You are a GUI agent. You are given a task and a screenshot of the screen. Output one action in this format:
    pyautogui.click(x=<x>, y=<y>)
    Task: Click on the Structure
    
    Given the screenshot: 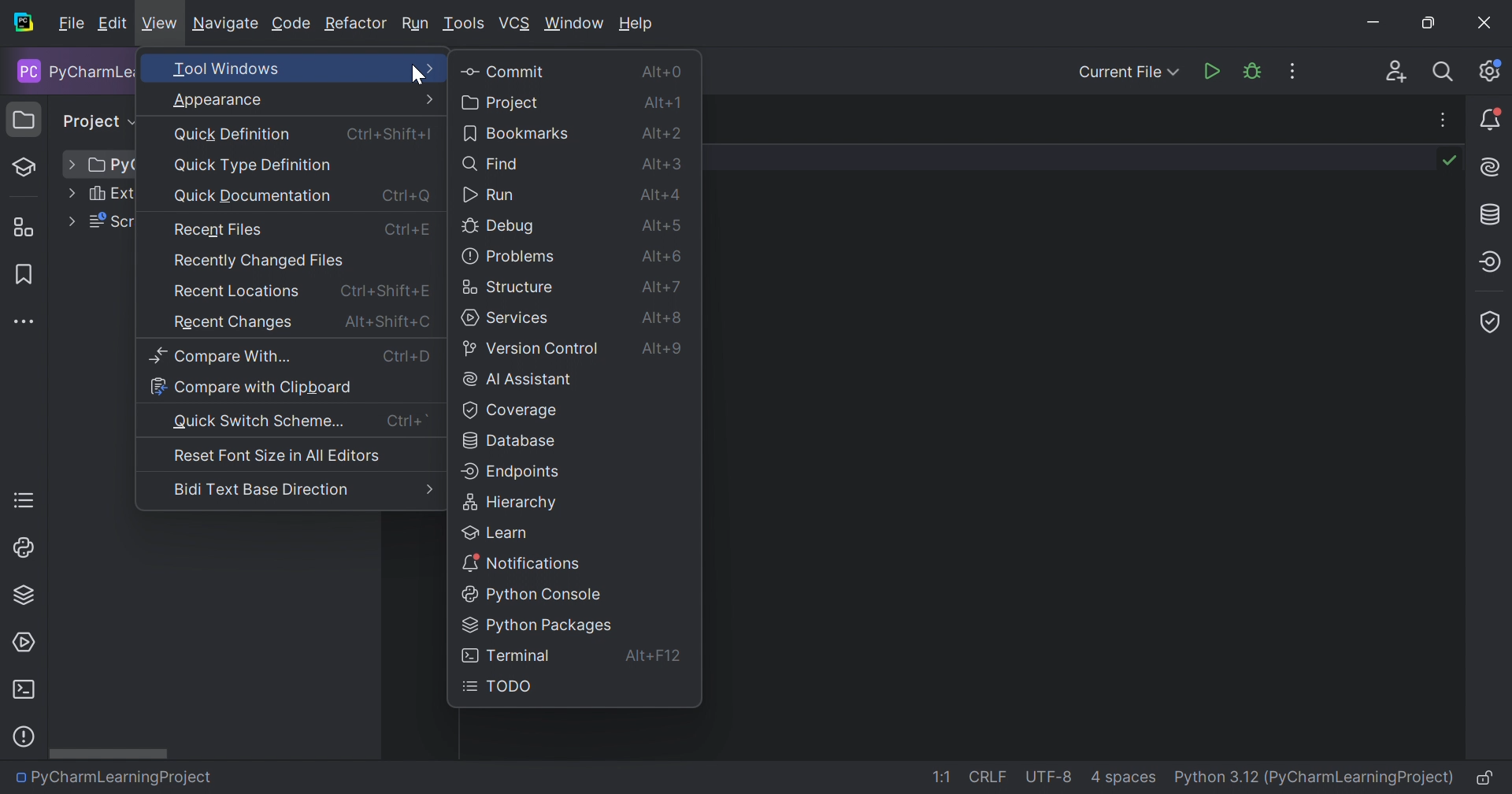 What is the action you would take?
    pyautogui.click(x=508, y=284)
    